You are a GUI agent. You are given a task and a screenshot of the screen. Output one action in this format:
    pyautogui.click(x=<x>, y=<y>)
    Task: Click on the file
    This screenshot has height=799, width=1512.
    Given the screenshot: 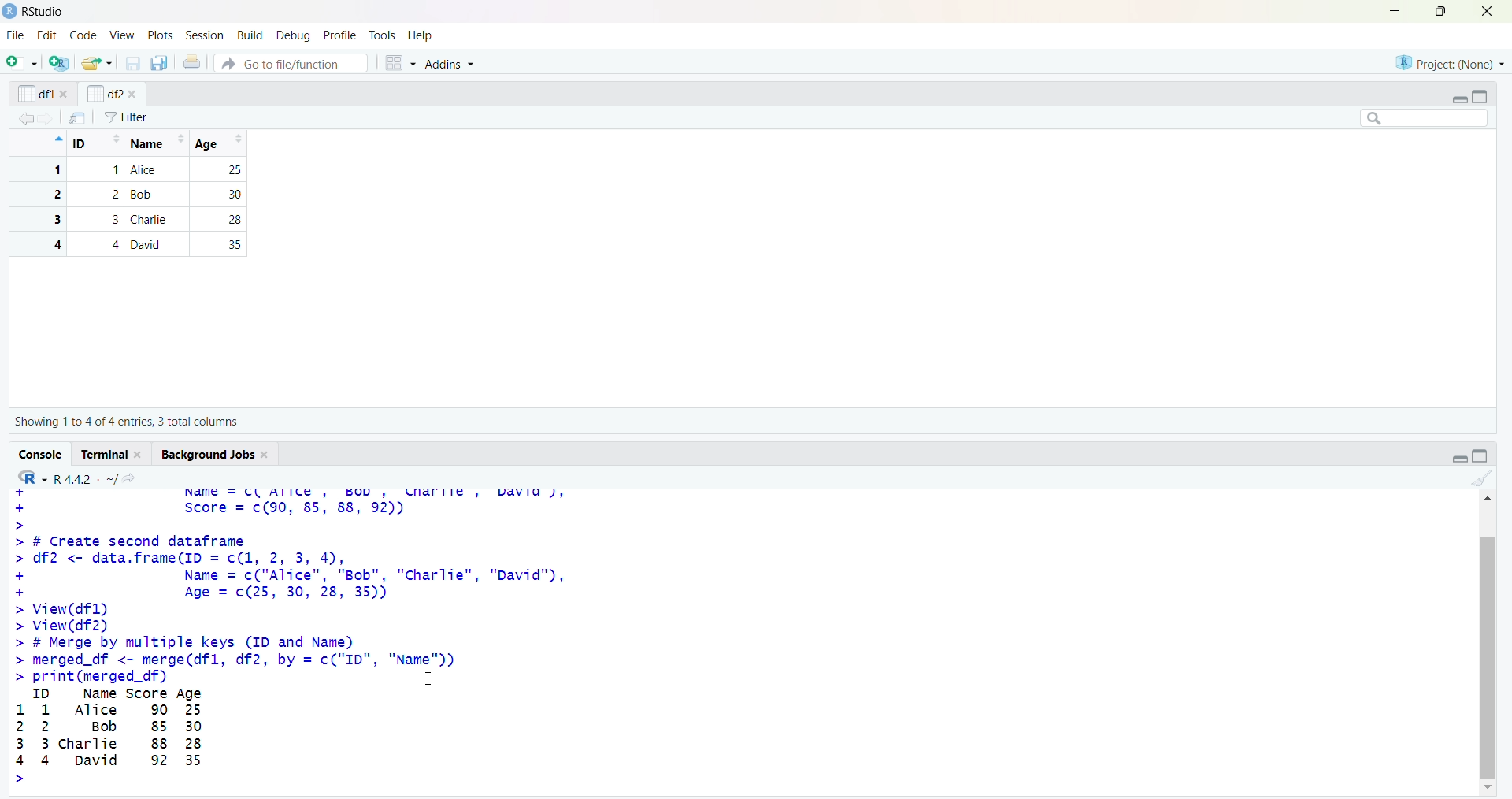 What is the action you would take?
    pyautogui.click(x=17, y=35)
    